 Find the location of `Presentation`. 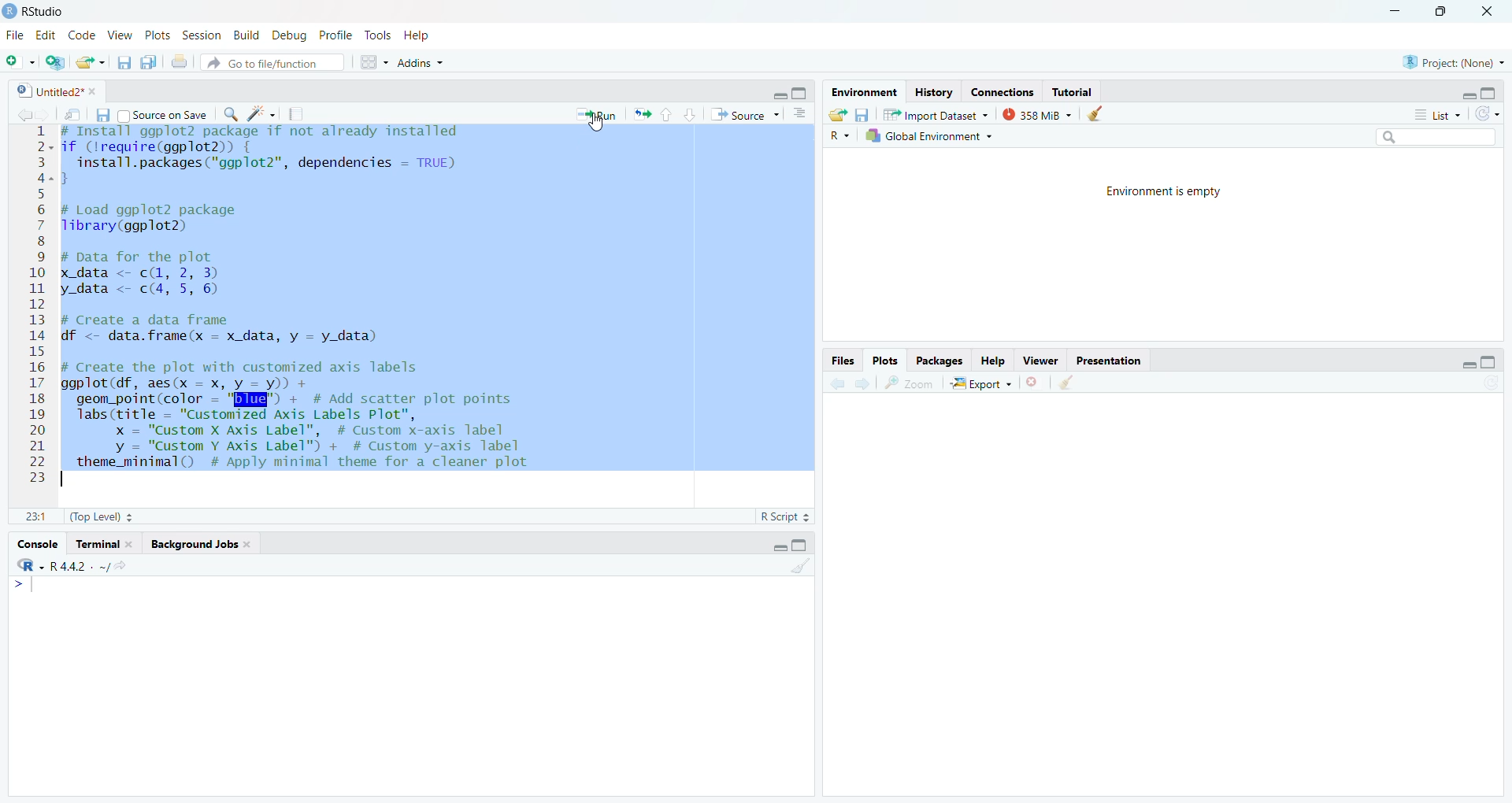

Presentation is located at coordinates (1112, 362).